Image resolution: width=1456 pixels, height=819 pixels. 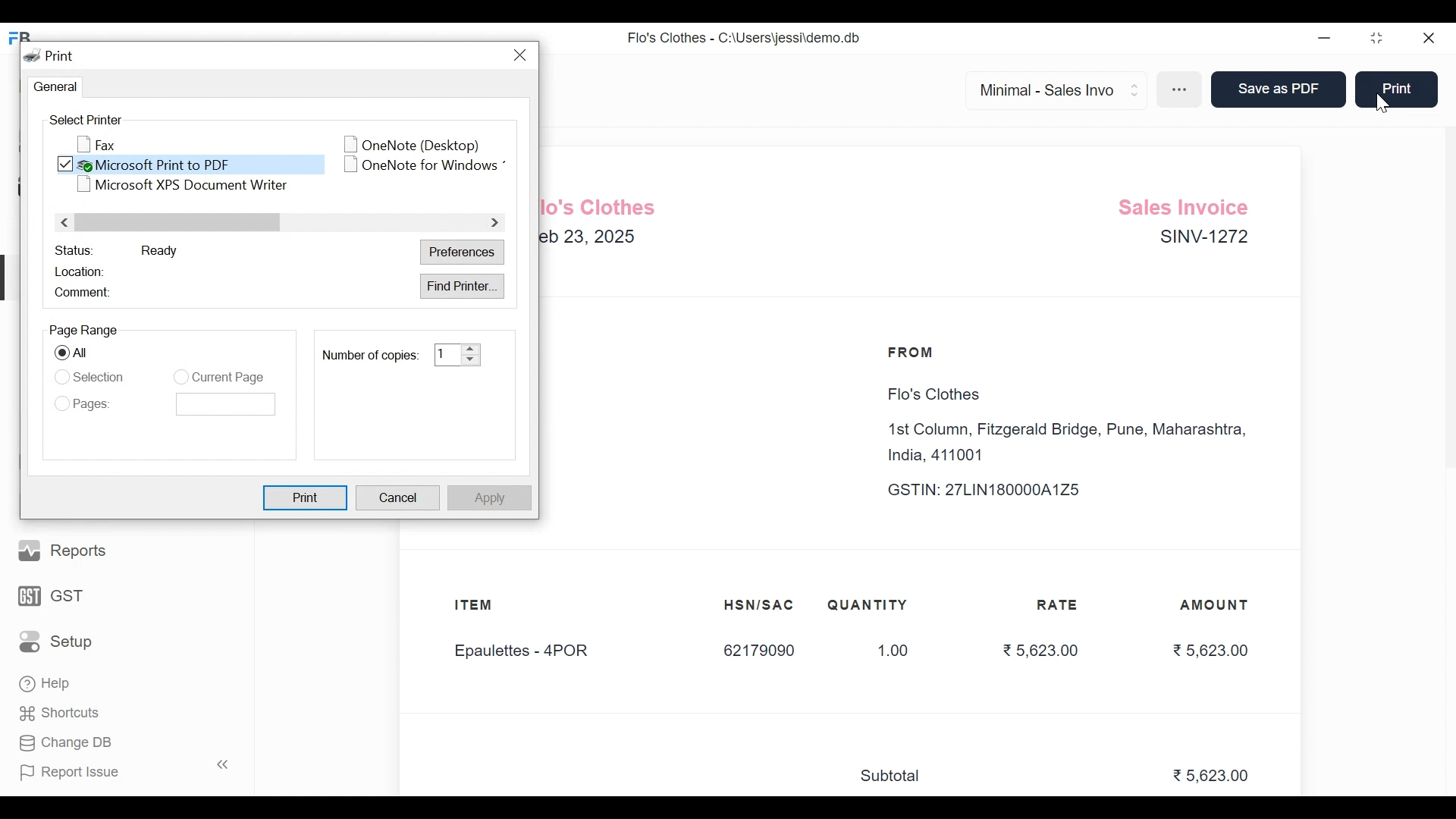 What do you see at coordinates (492, 223) in the screenshot?
I see `Scroll Right` at bounding box center [492, 223].